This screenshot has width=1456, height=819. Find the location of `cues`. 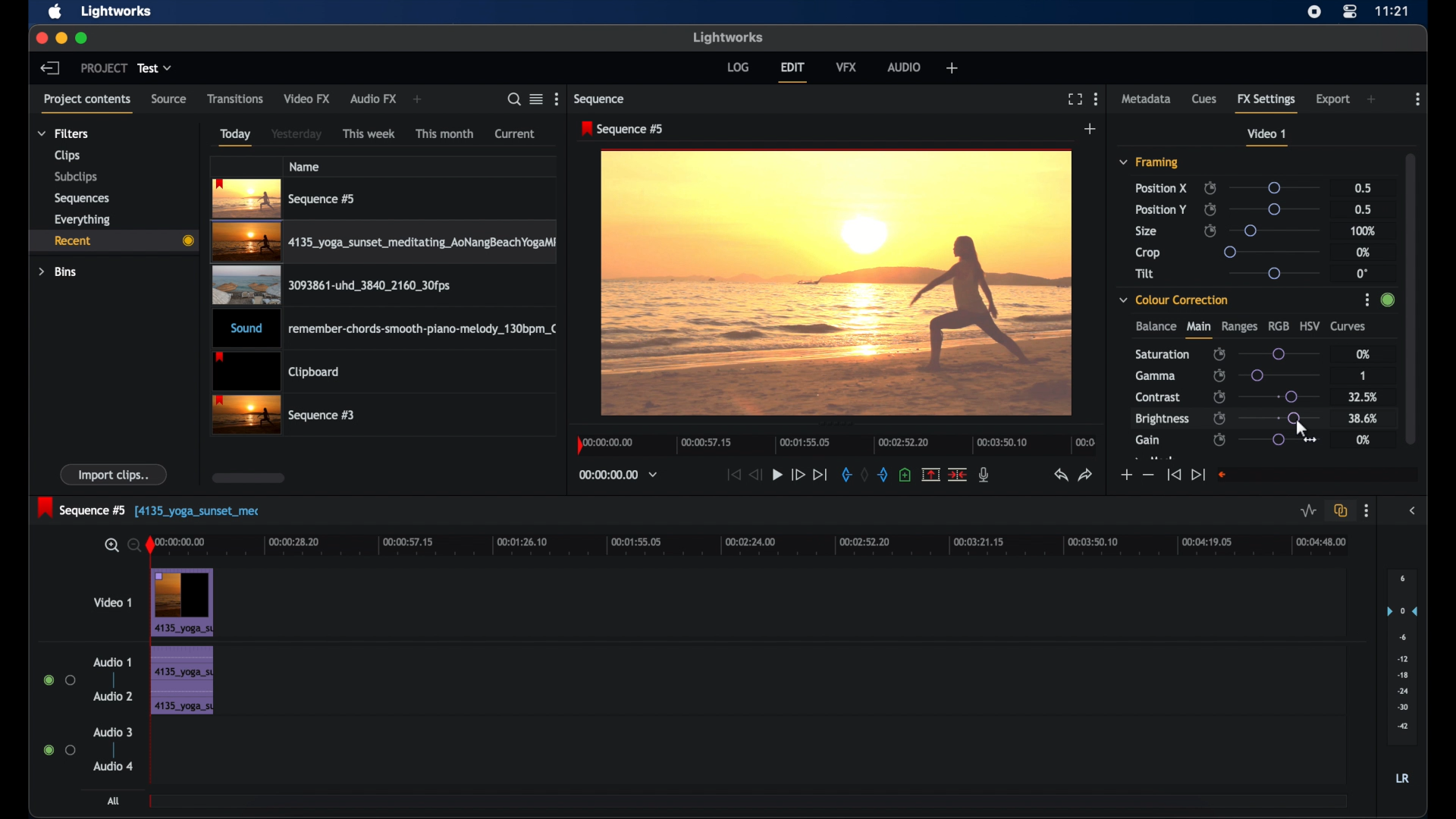

cues is located at coordinates (1204, 102).